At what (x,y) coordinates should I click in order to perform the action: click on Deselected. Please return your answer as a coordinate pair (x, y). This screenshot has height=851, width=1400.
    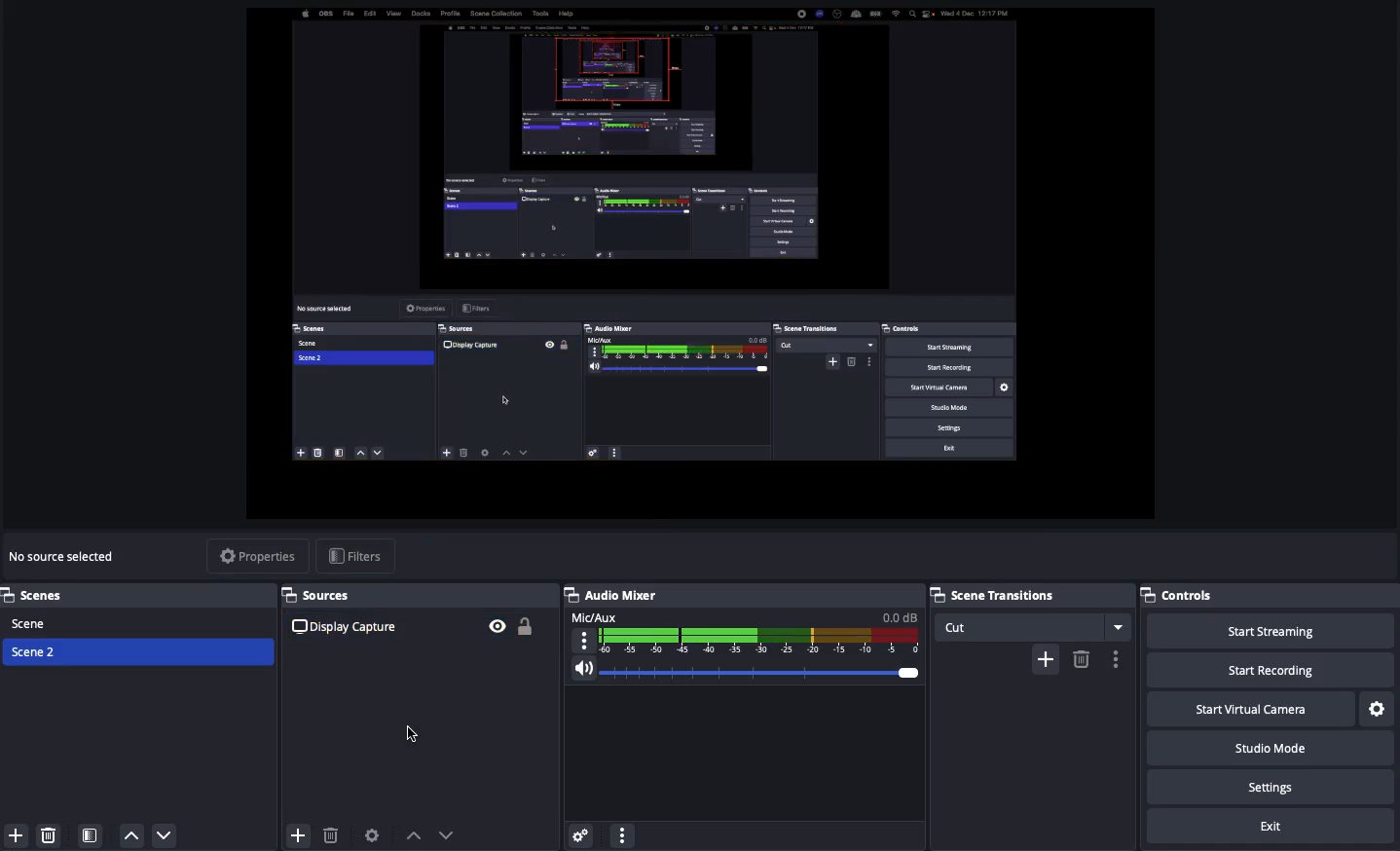
    Looking at the image, I should click on (419, 734).